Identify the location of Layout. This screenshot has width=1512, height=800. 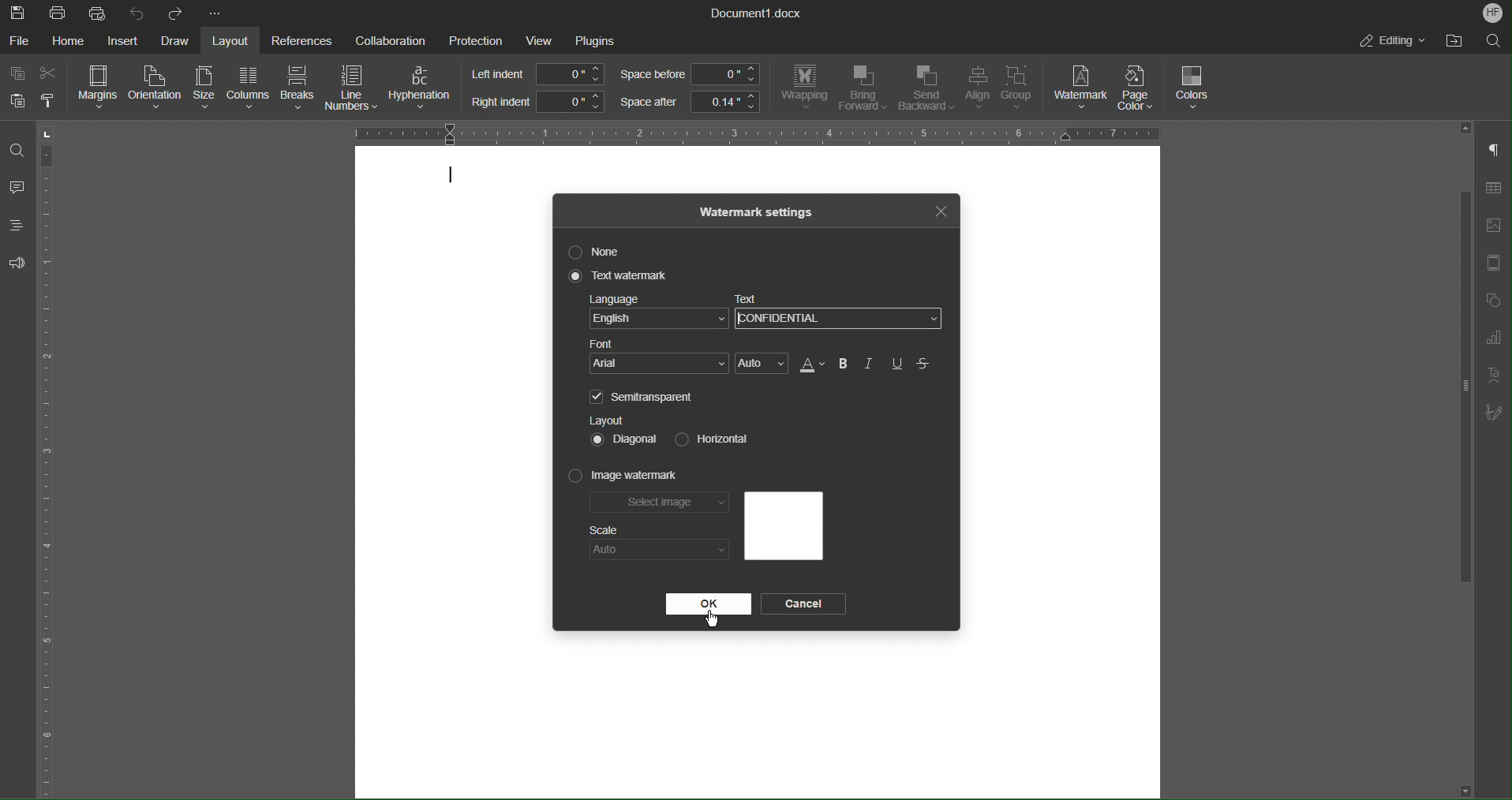
(234, 40).